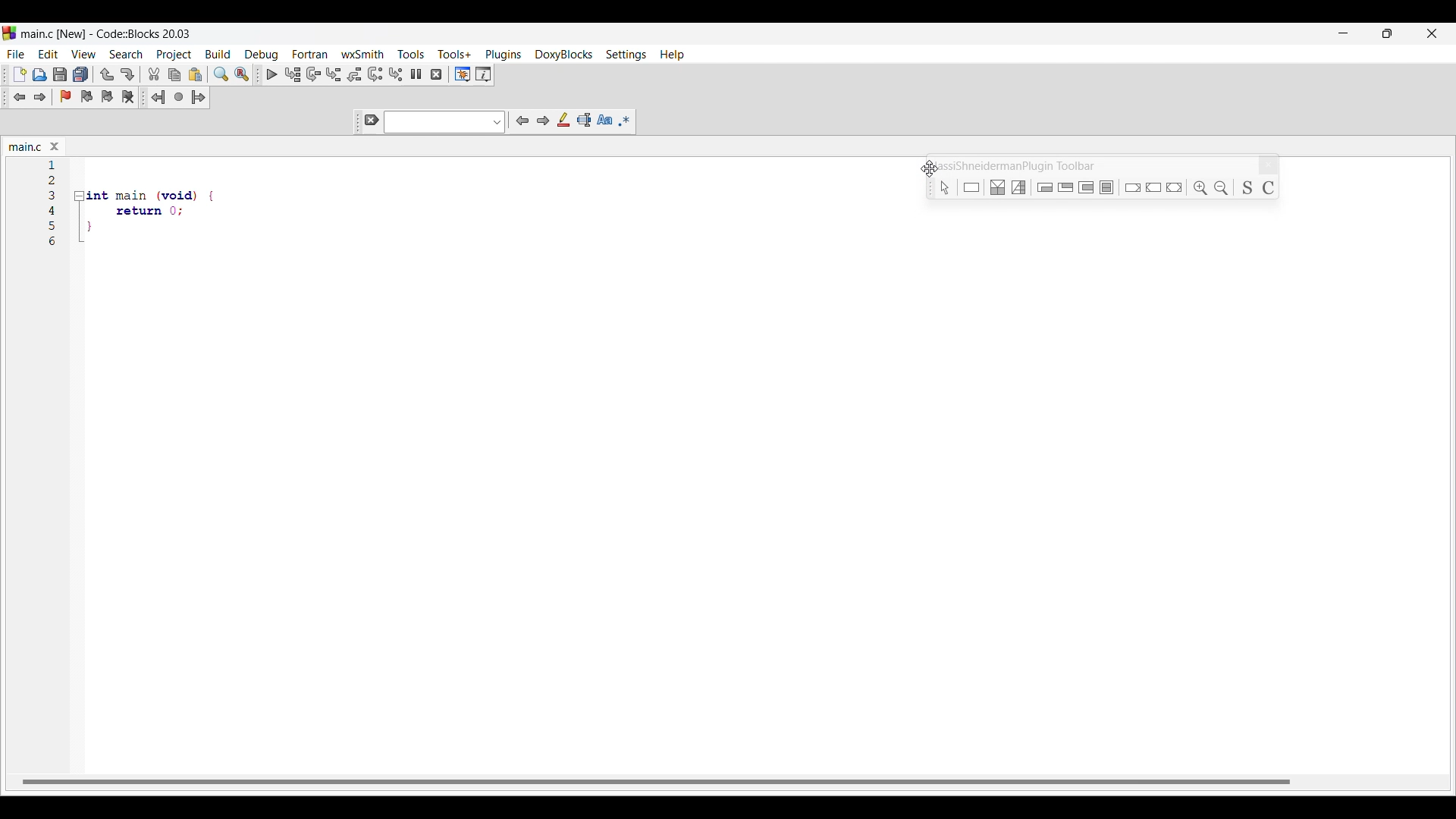 This screenshot has width=1456, height=819. I want to click on Step out, so click(355, 74).